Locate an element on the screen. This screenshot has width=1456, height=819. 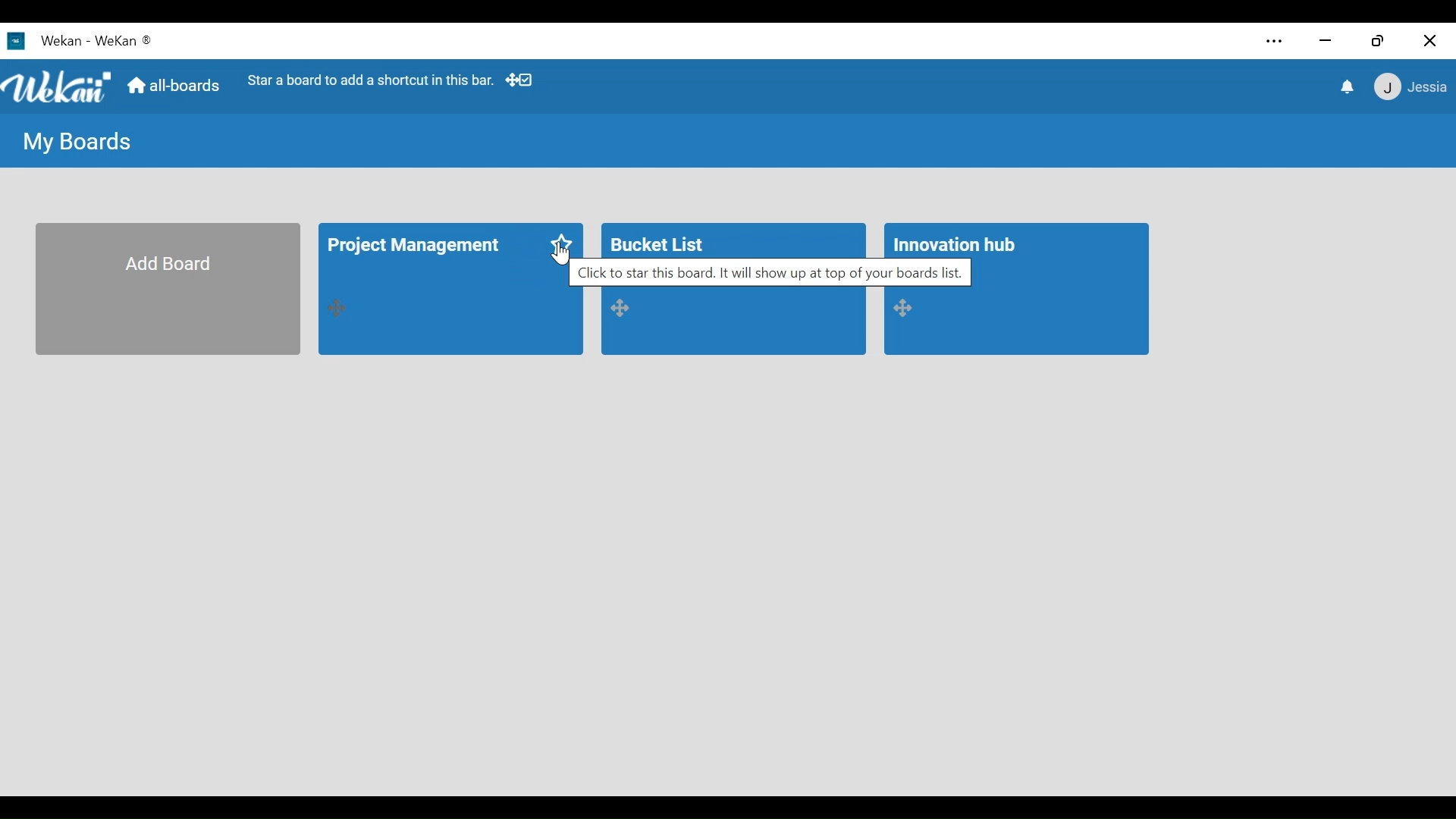
Wekan is located at coordinates (124, 39).